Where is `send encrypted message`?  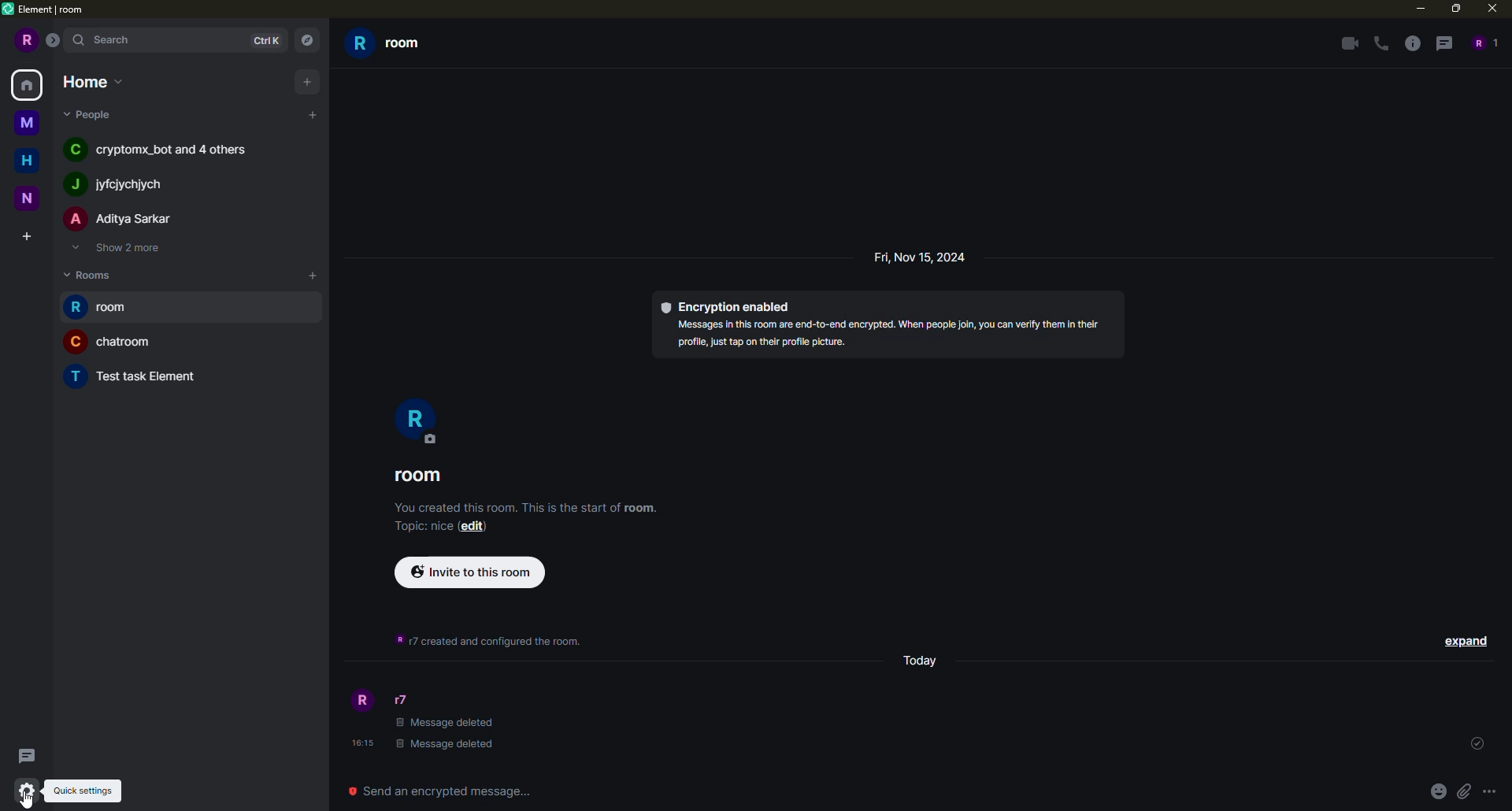 send encrypted message is located at coordinates (436, 791).